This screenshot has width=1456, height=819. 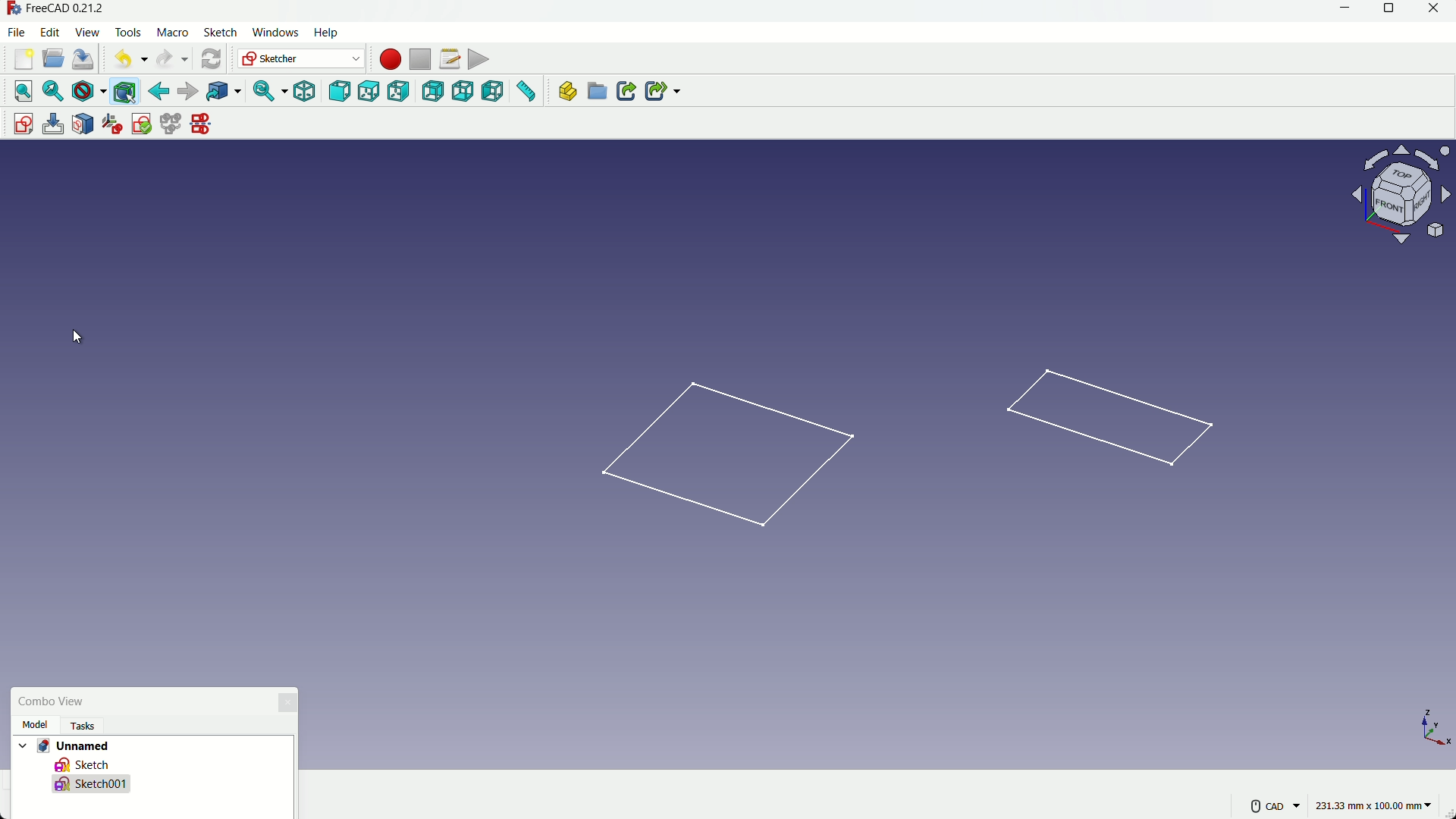 What do you see at coordinates (94, 787) in the screenshot?
I see `new sketch made- Sketch001` at bounding box center [94, 787].